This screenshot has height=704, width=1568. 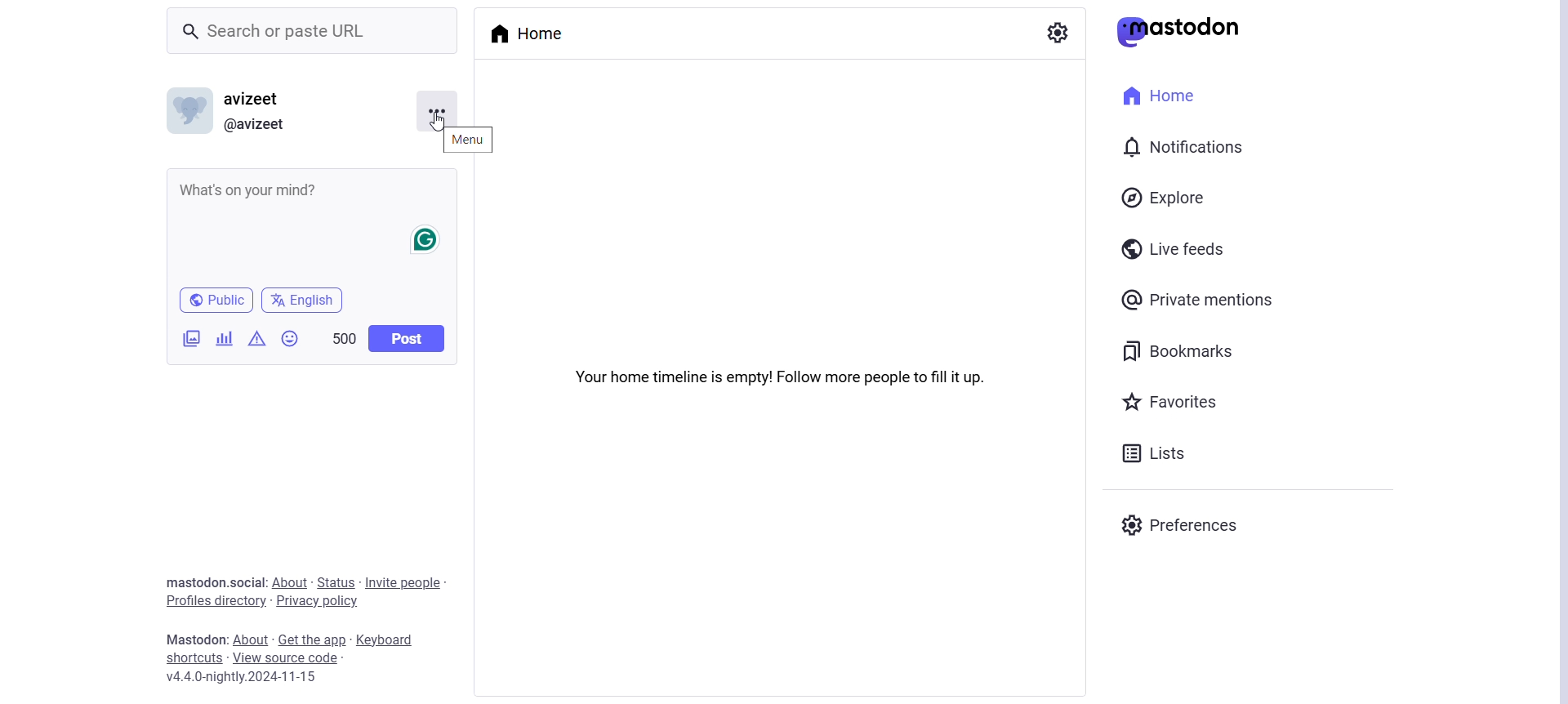 What do you see at coordinates (292, 582) in the screenshot?
I see `About` at bounding box center [292, 582].